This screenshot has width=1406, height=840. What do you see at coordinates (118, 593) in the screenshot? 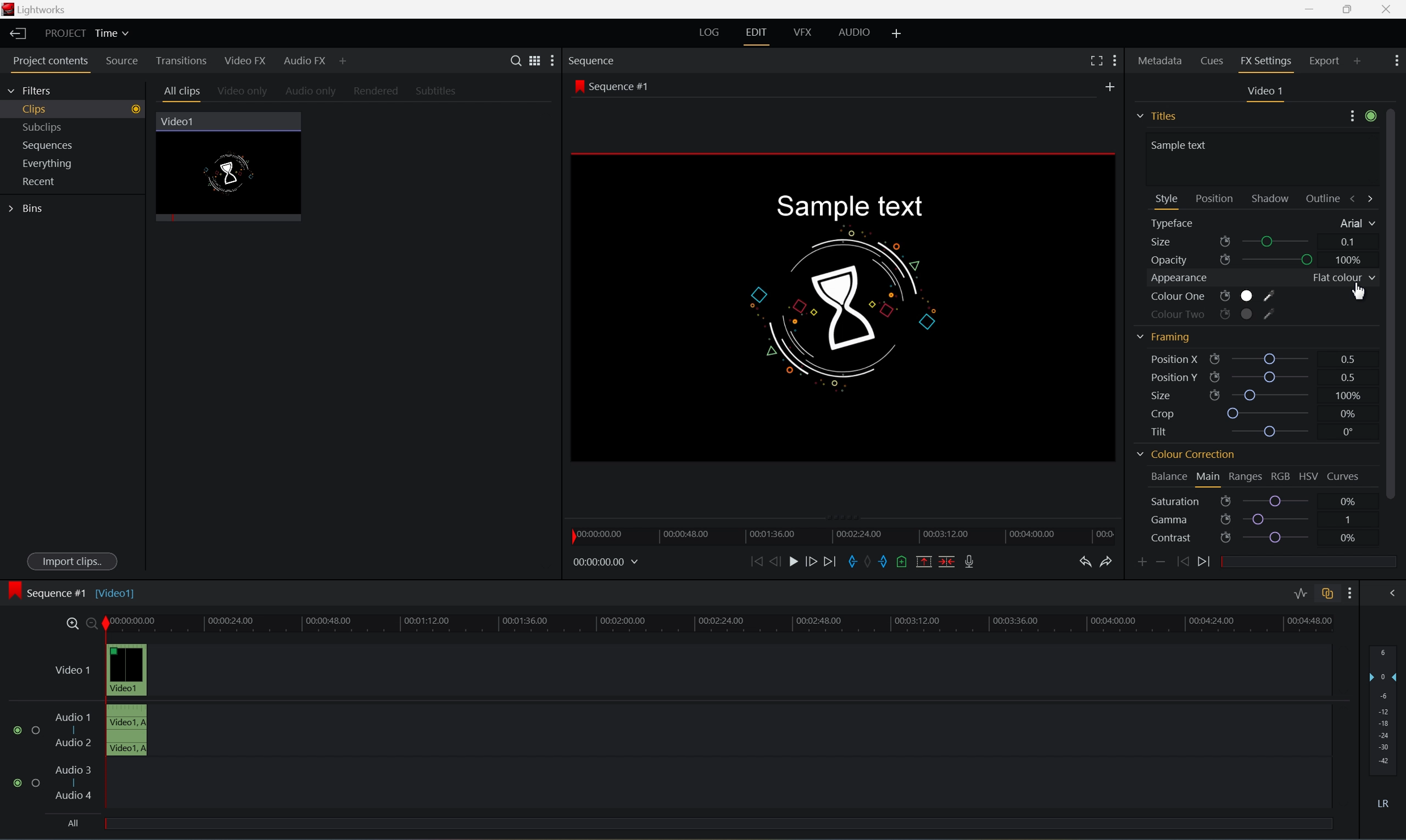
I see `Video1` at bounding box center [118, 593].